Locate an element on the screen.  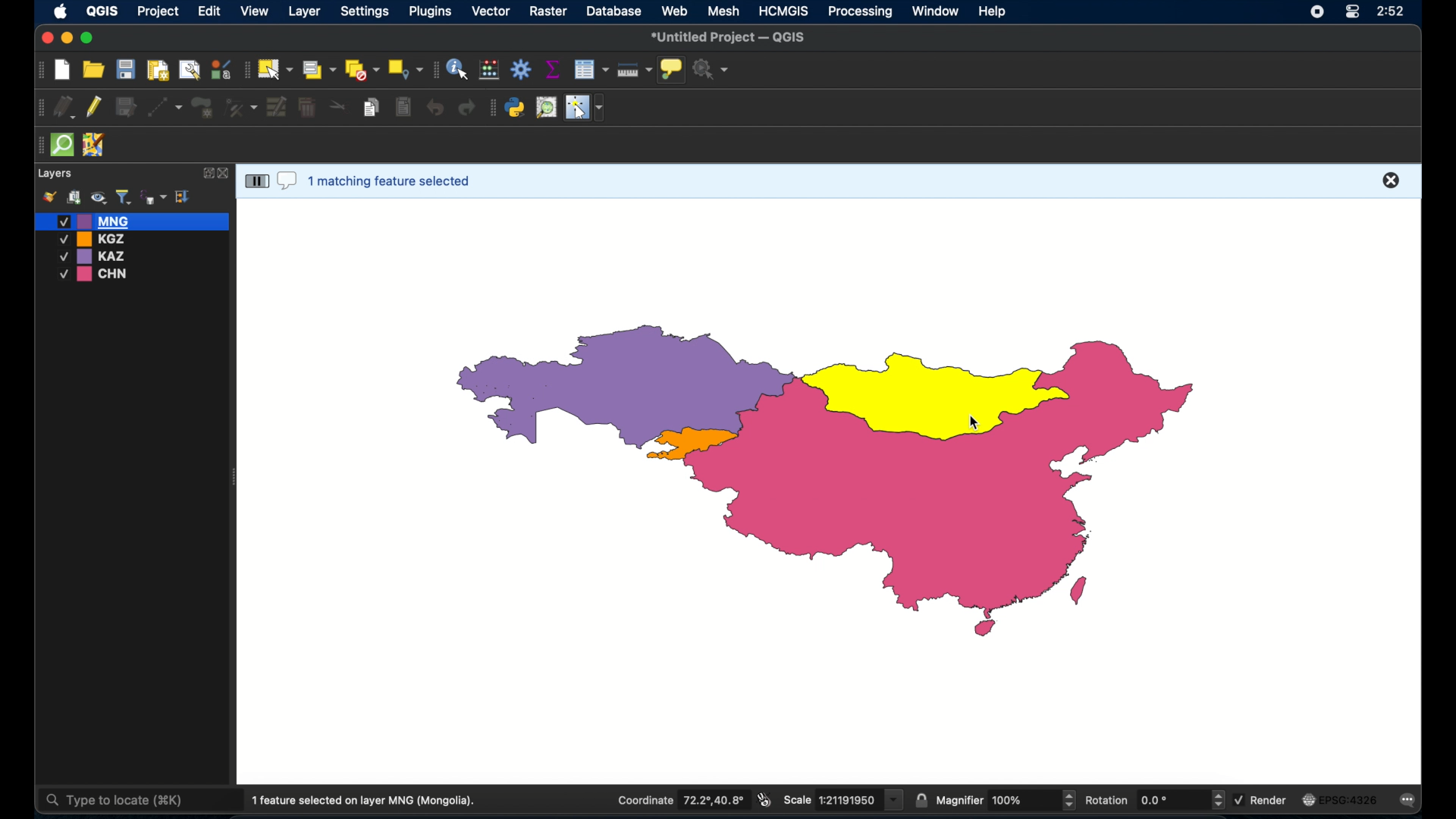
current edits is located at coordinates (64, 106).